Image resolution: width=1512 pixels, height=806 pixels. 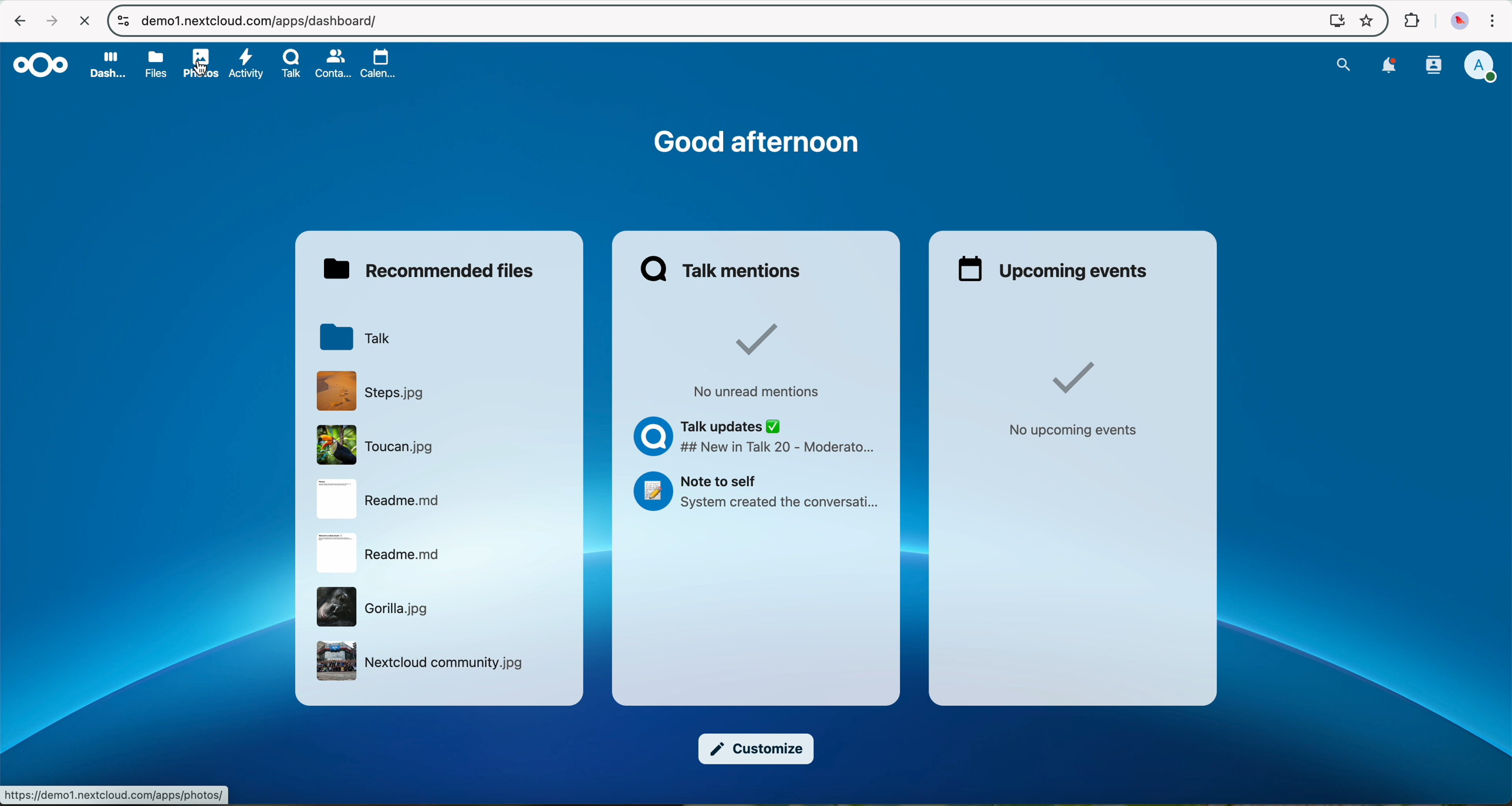 I want to click on readme file, so click(x=379, y=556).